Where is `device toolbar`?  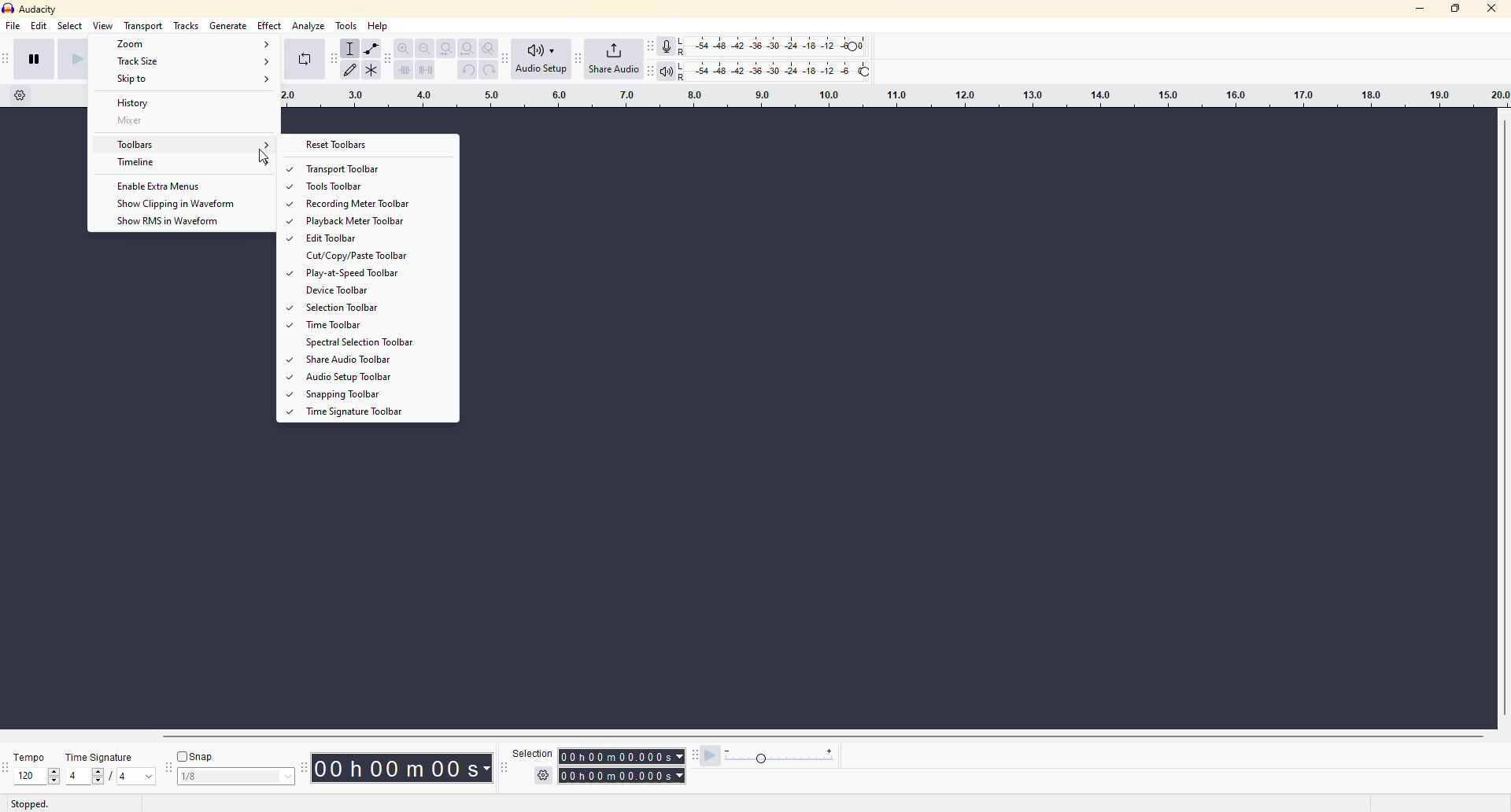
device toolbar is located at coordinates (338, 290).